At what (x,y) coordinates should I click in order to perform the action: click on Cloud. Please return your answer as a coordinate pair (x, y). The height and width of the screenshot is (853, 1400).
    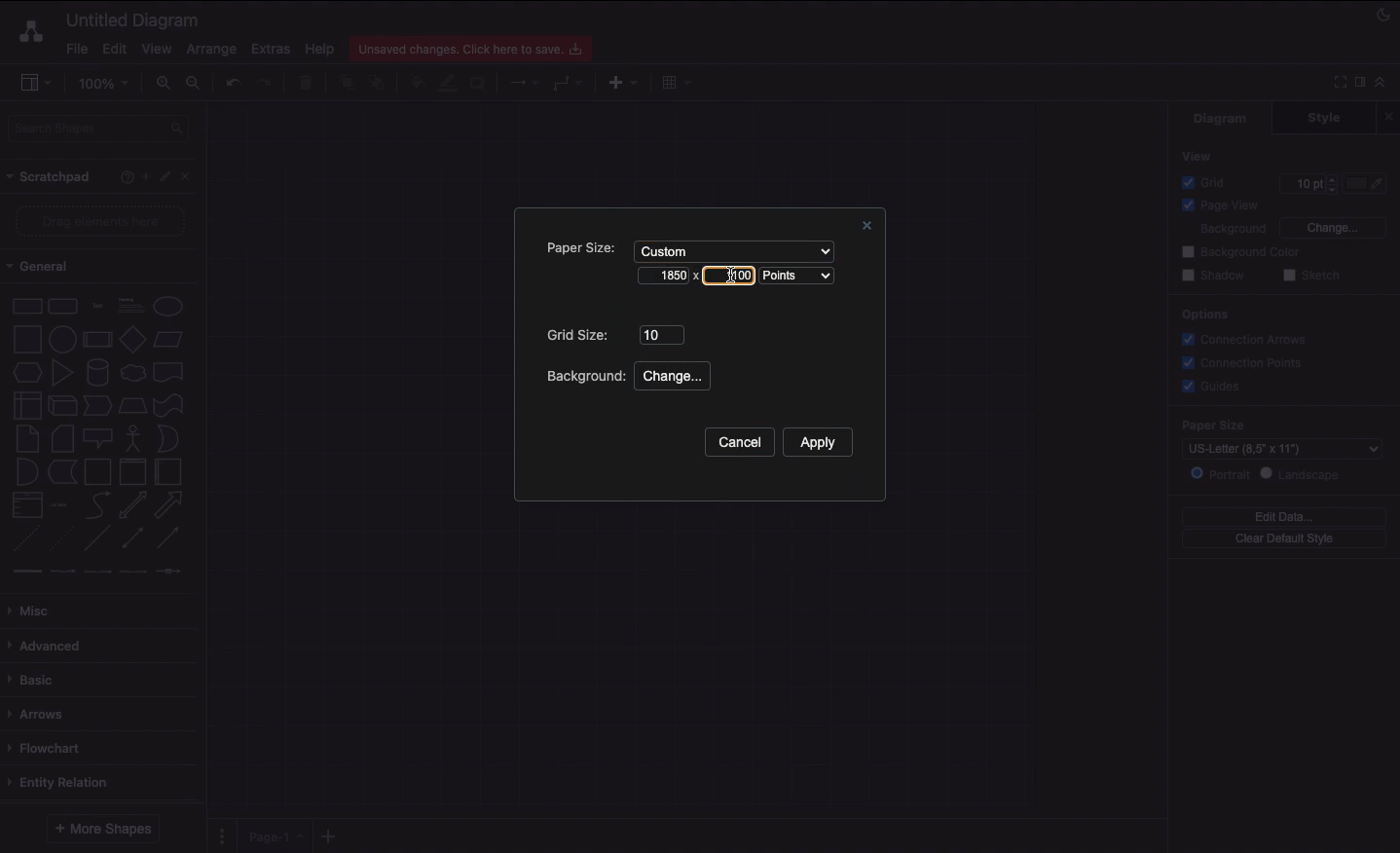
    Looking at the image, I should click on (131, 373).